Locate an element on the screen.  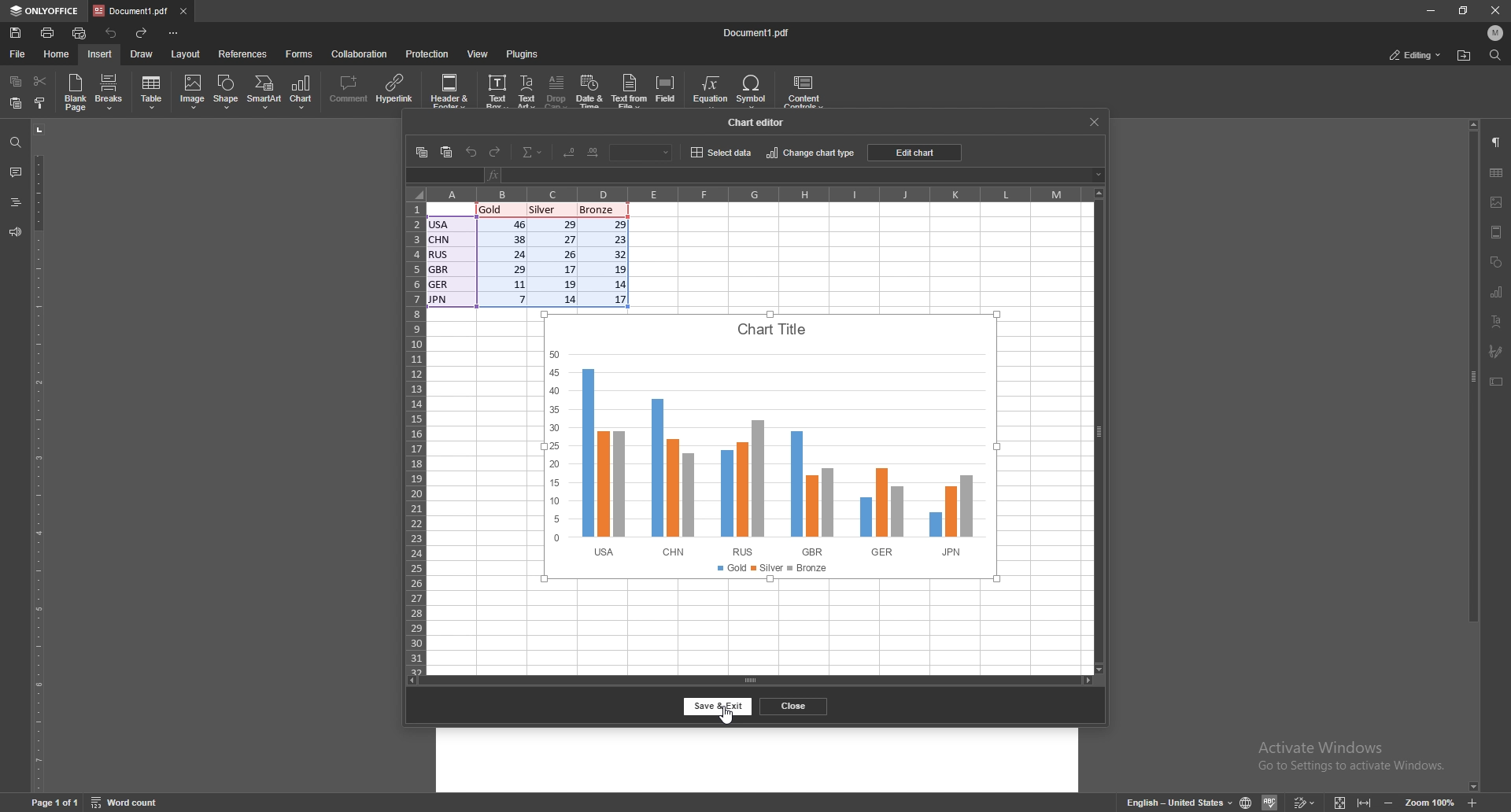
paste is located at coordinates (446, 153).